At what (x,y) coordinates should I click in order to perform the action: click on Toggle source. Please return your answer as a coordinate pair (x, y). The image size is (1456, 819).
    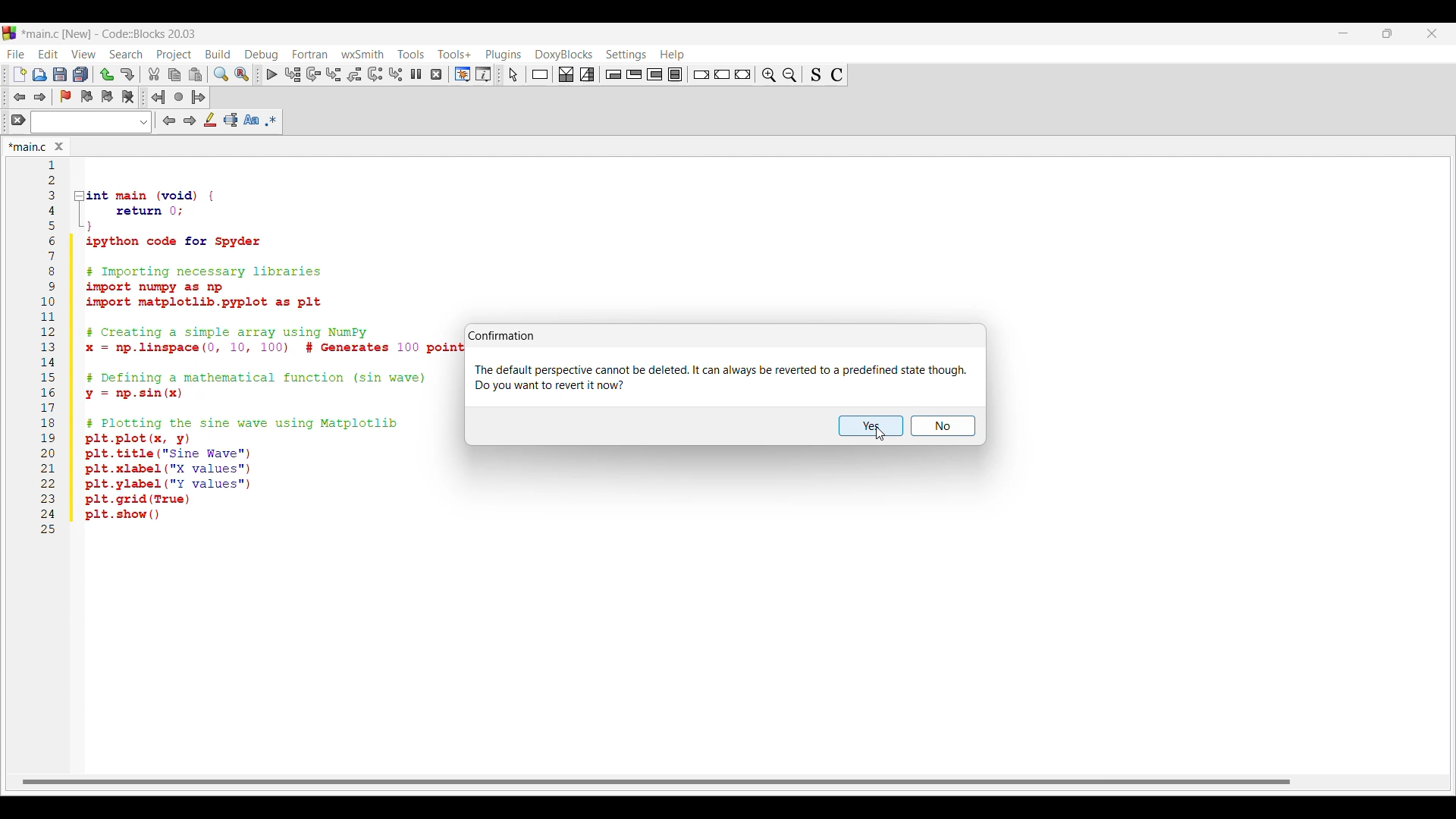
    Looking at the image, I should click on (816, 74).